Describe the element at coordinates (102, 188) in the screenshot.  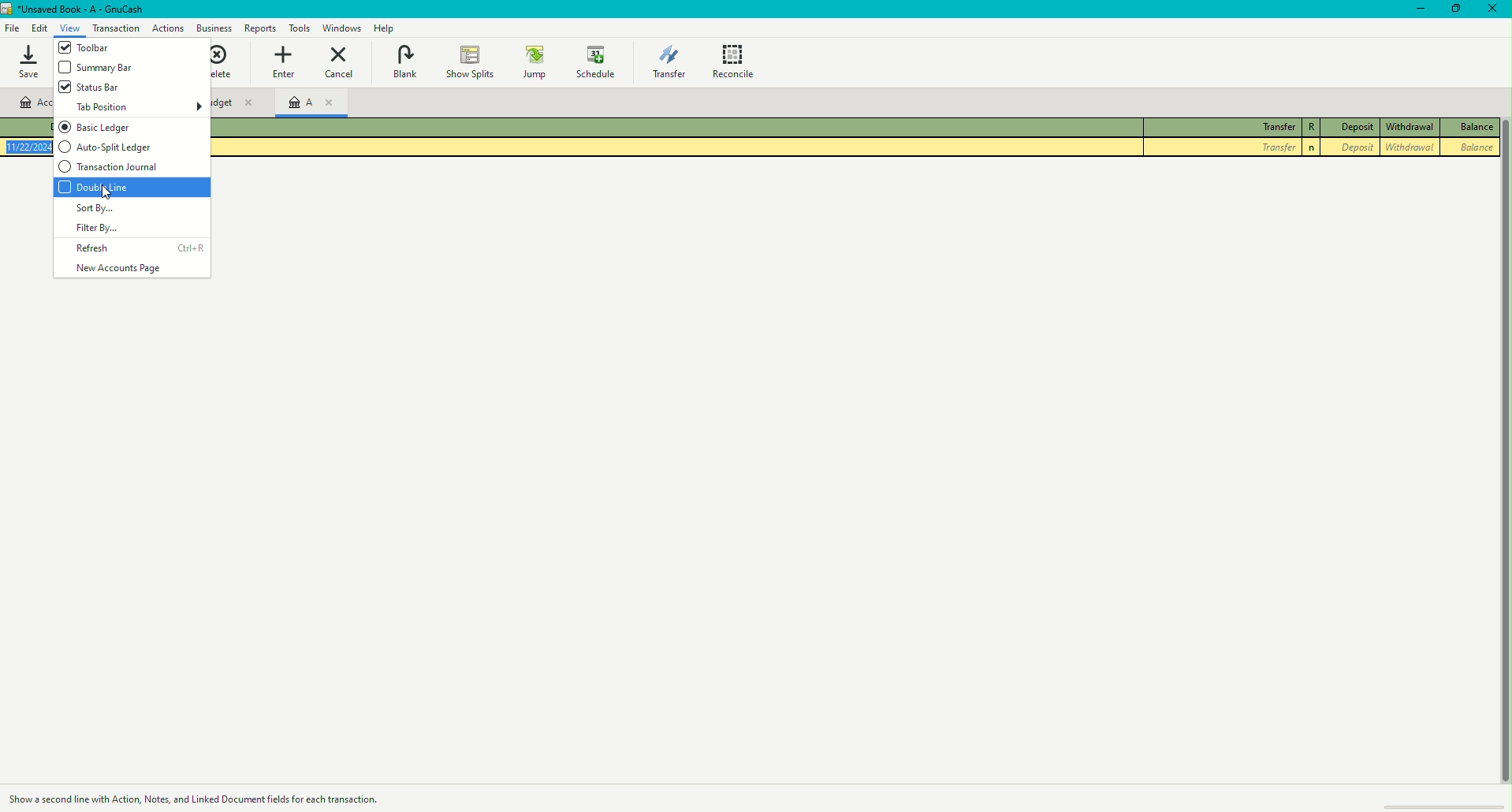
I see `Double Line` at that location.